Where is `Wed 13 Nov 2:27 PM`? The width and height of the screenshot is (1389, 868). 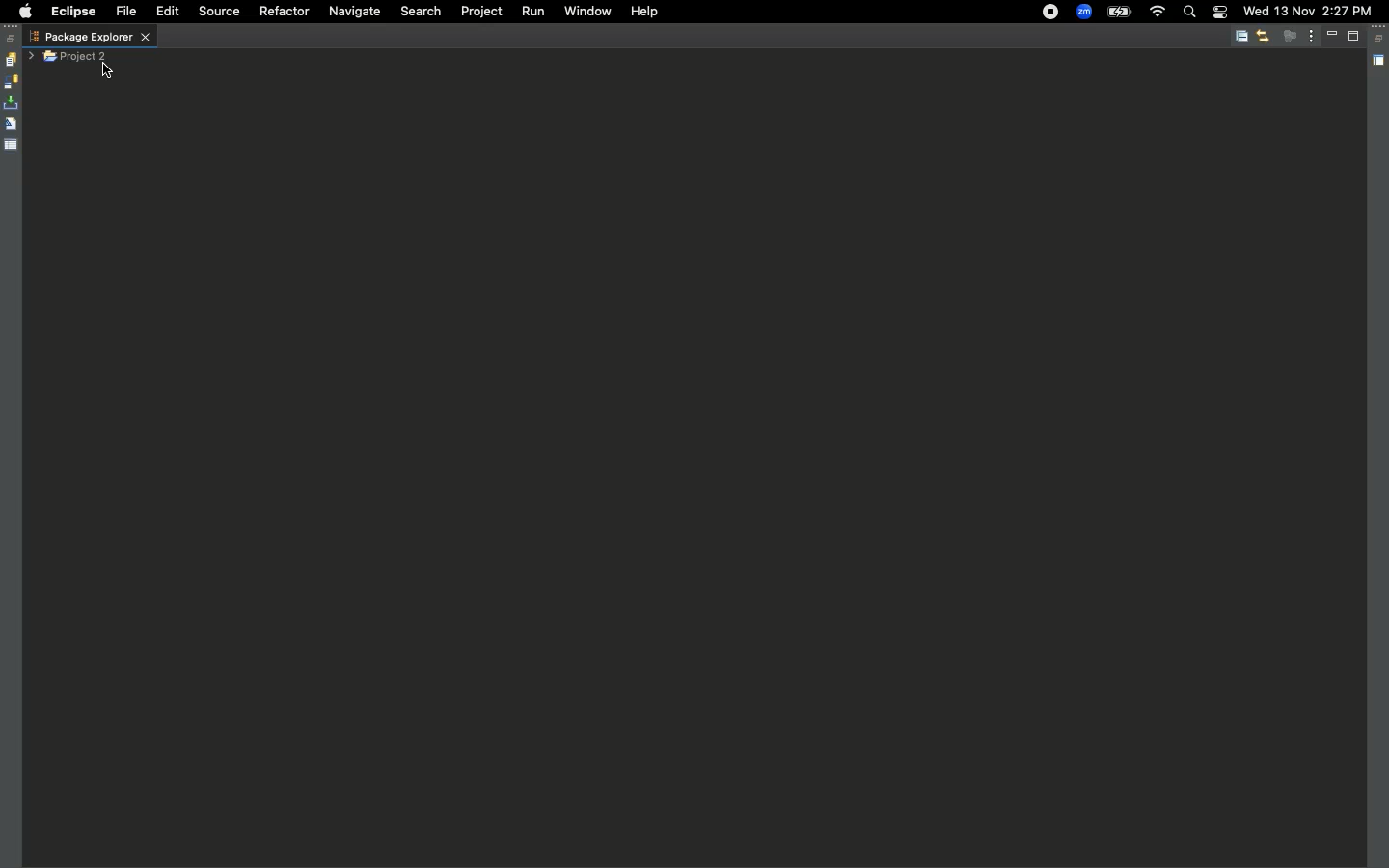
Wed 13 Nov 2:27 PM is located at coordinates (1307, 10).